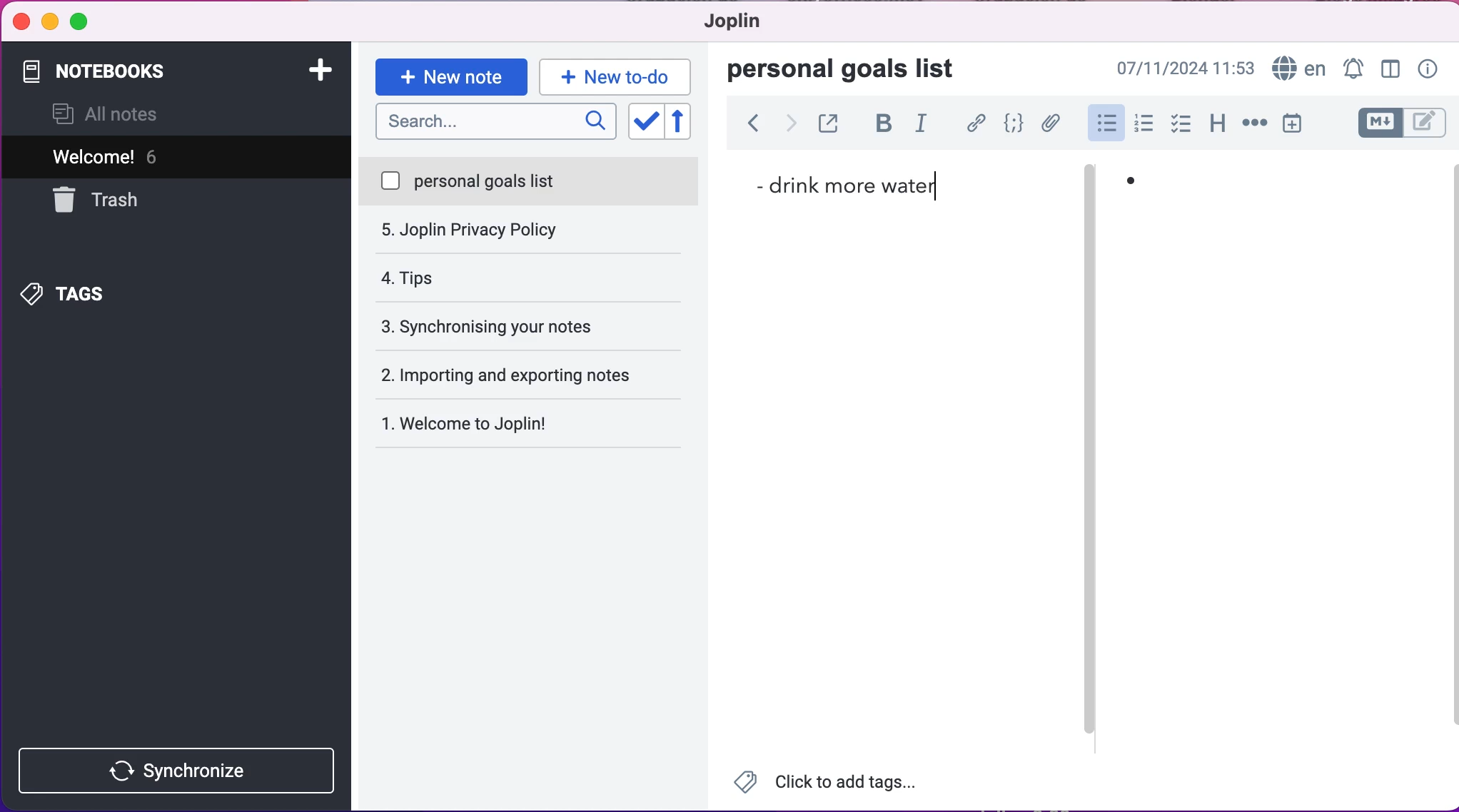 Image resolution: width=1459 pixels, height=812 pixels. I want to click on check box, so click(1181, 128).